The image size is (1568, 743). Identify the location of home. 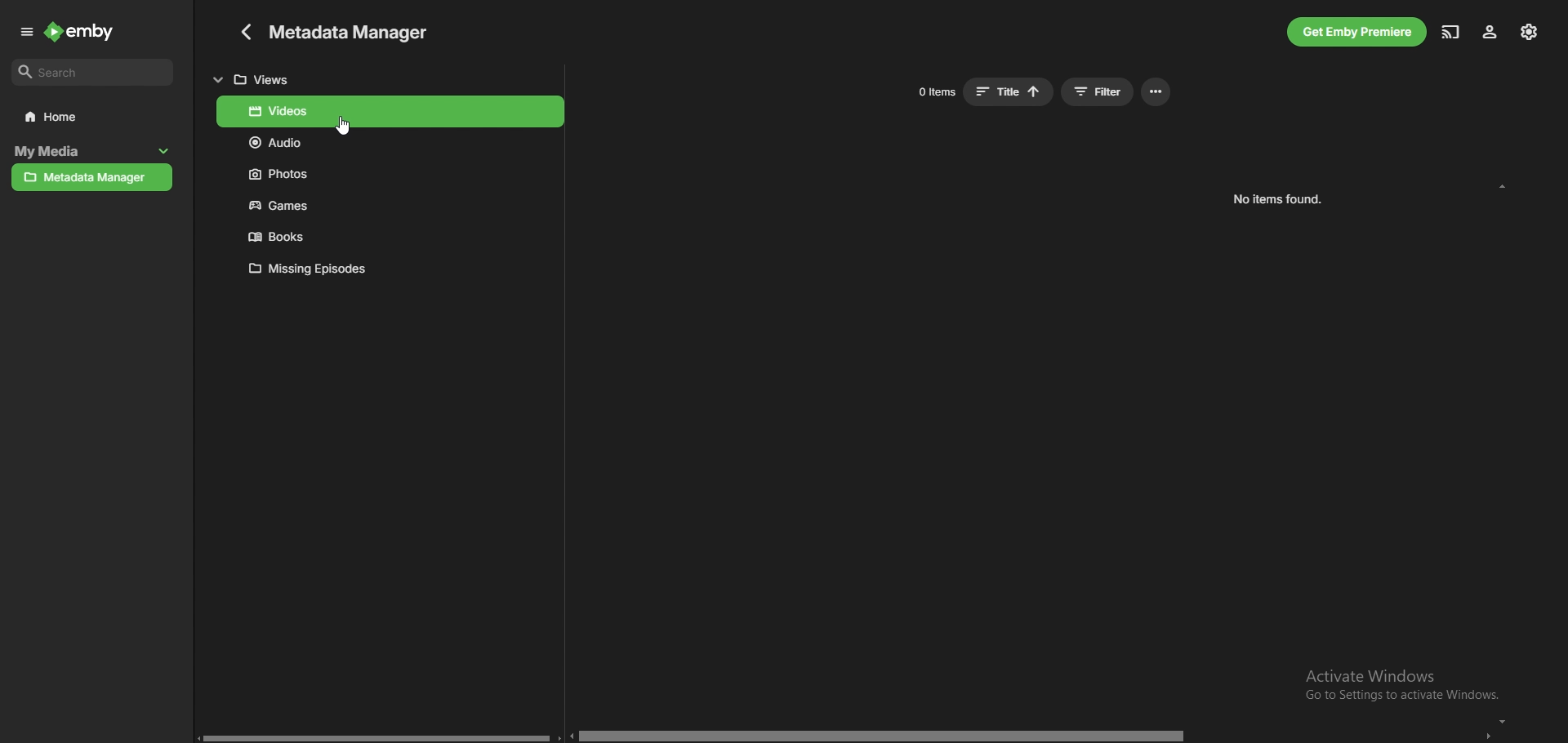
(93, 117).